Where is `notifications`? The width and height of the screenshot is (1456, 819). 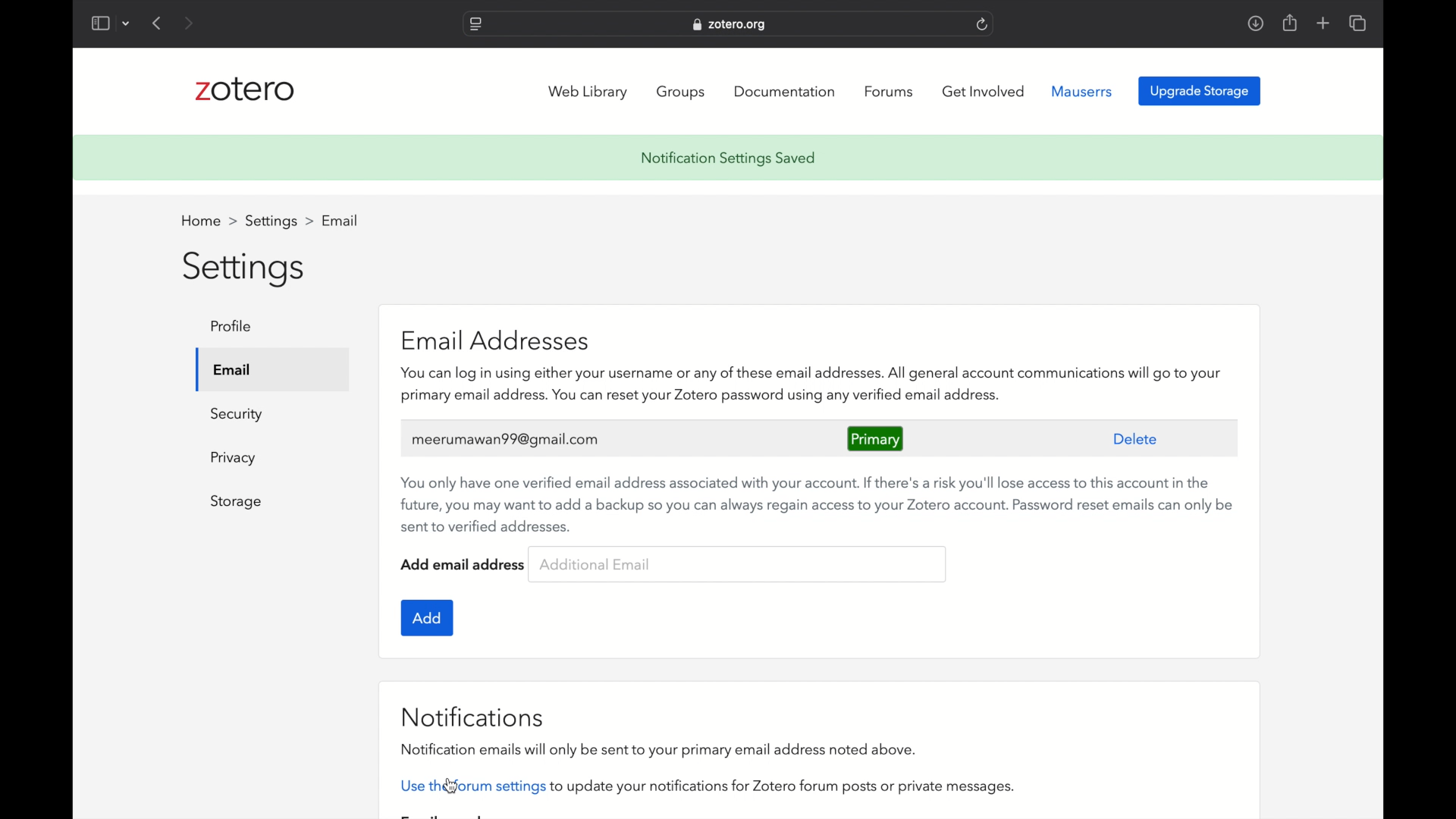 notifications is located at coordinates (472, 717).